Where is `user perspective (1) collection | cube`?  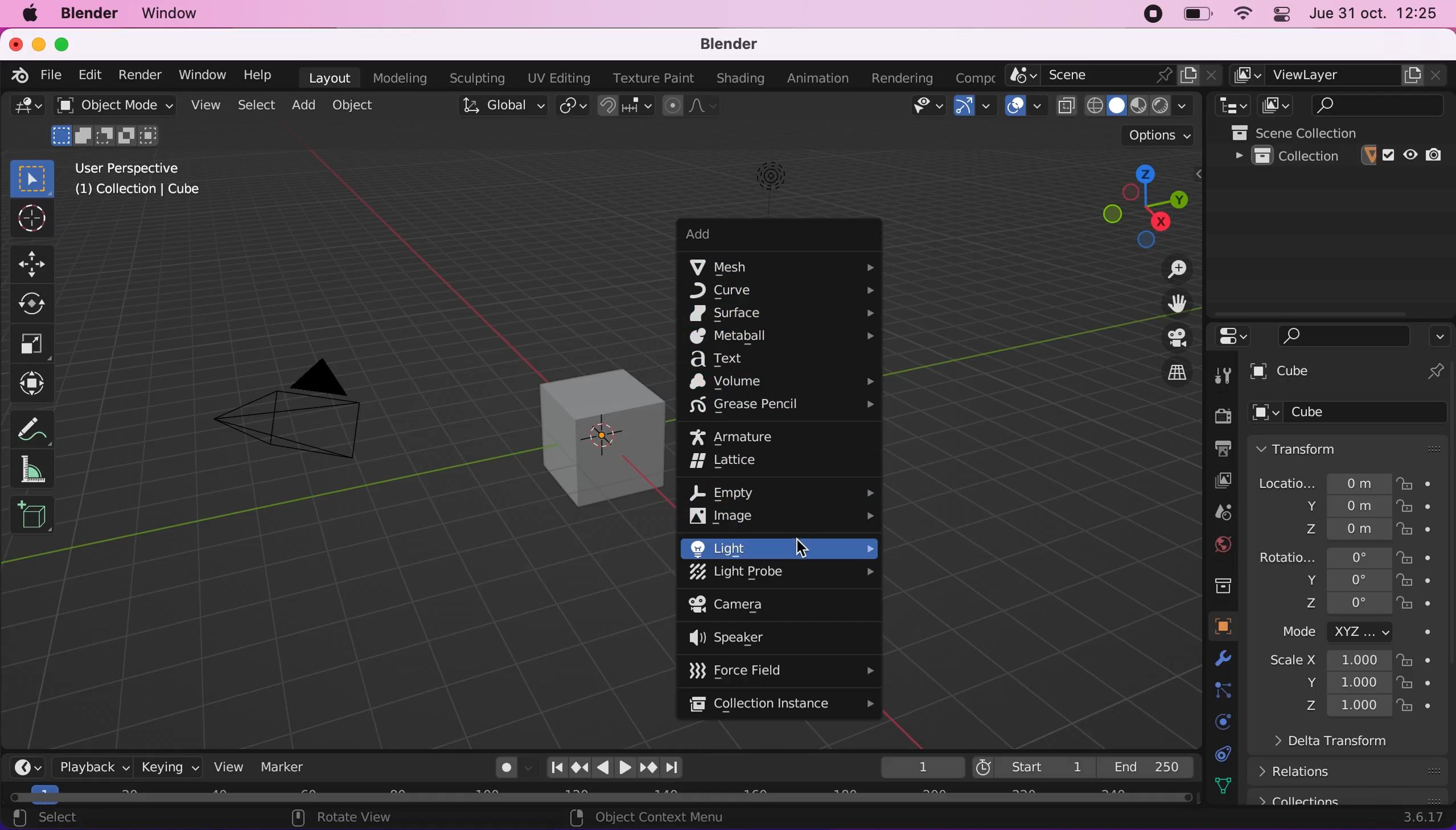 user perspective (1) collection | cube is located at coordinates (143, 180).